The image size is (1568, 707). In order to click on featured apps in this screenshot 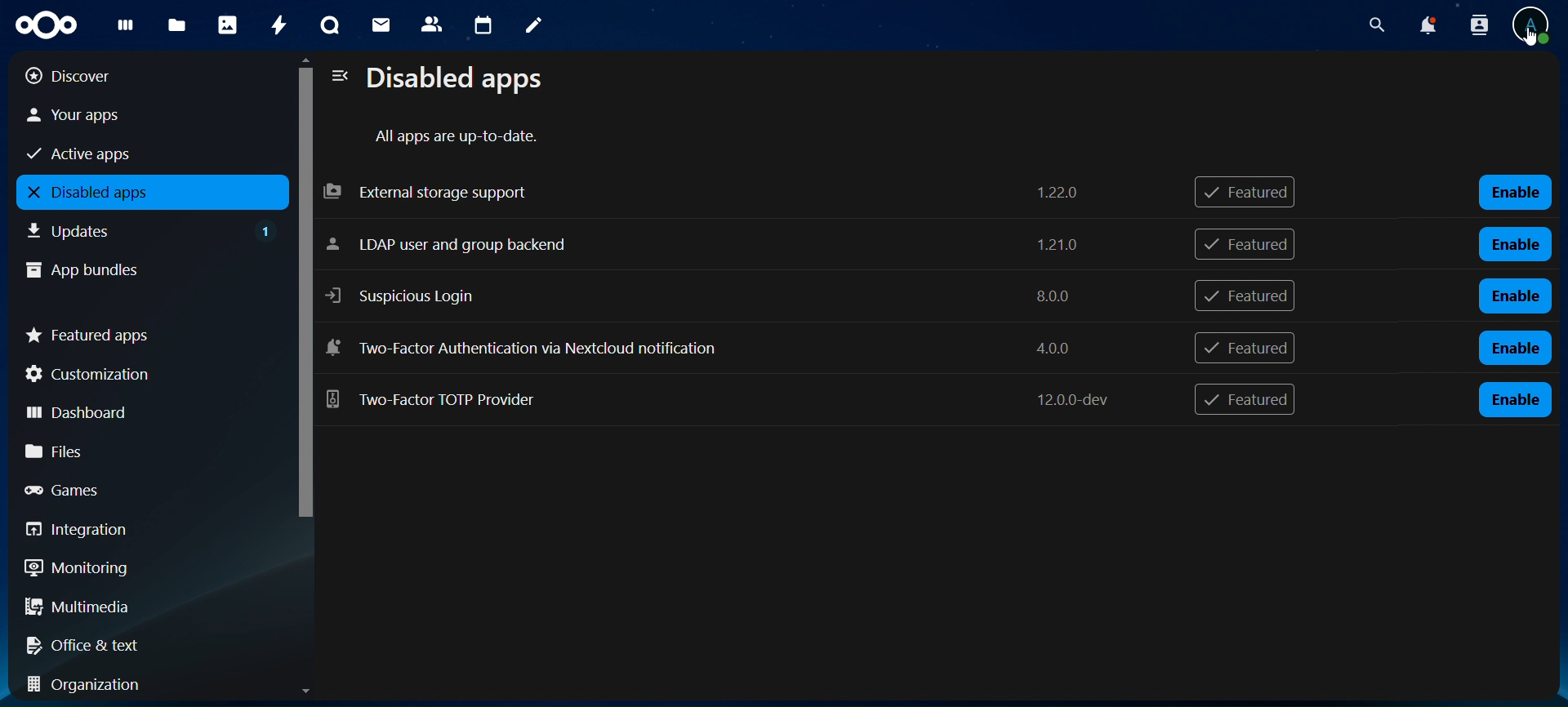, I will do `click(145, 332)`.